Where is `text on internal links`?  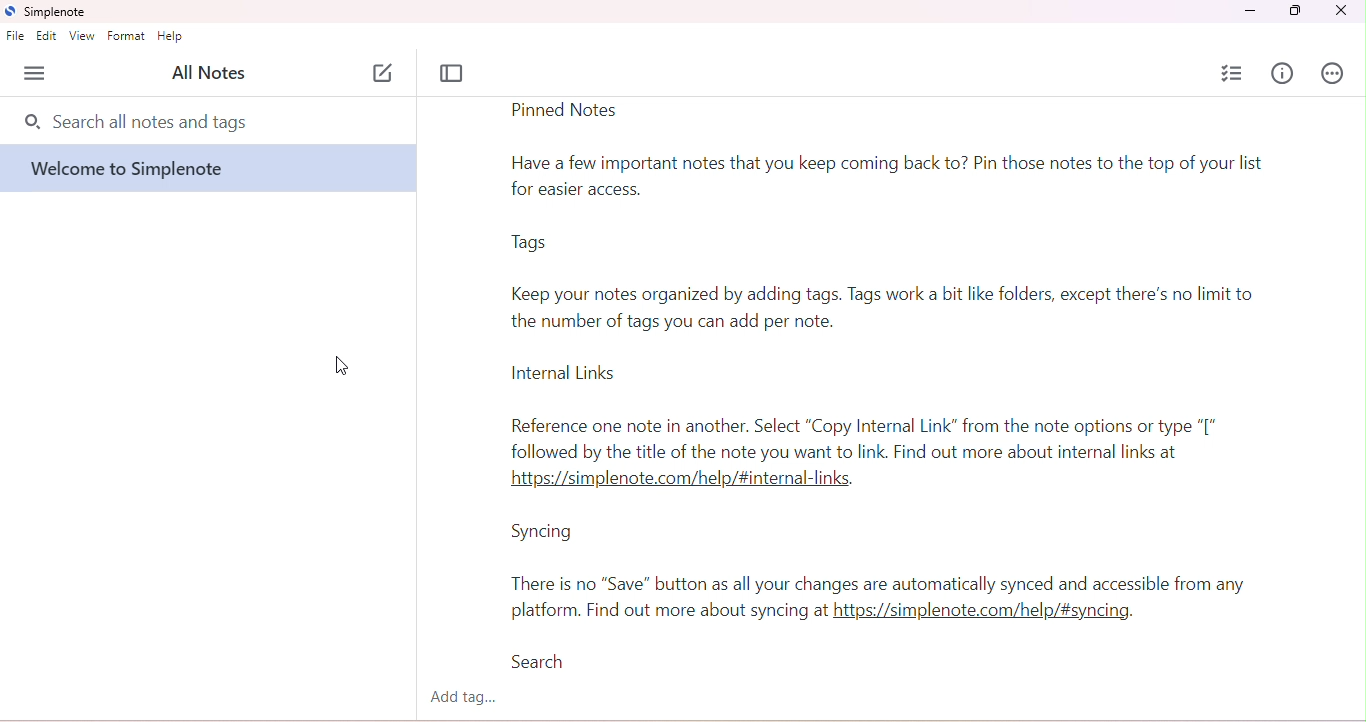 text on internal links is located at coordinates (870, 455).